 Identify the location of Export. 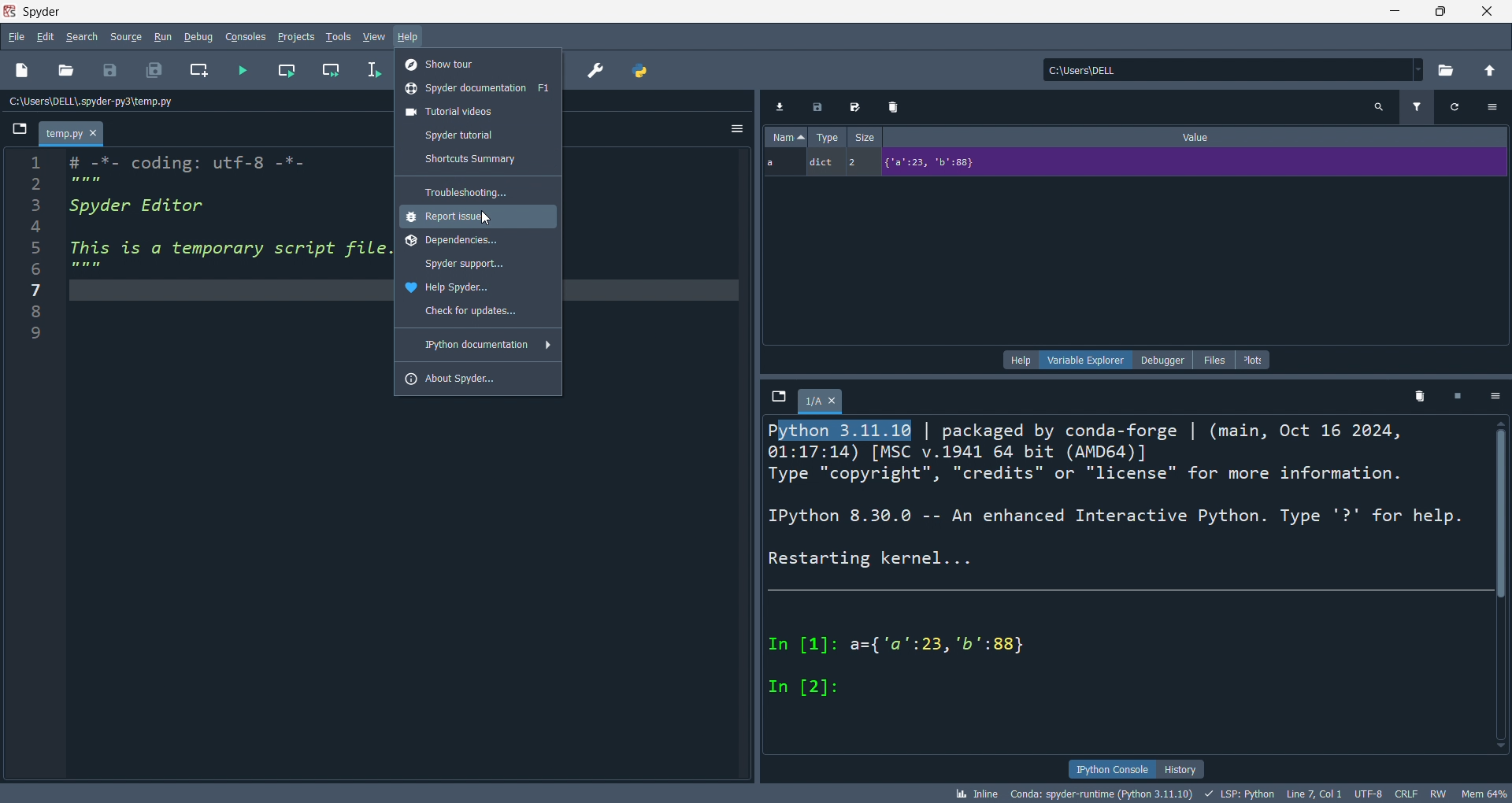
(817, 108).